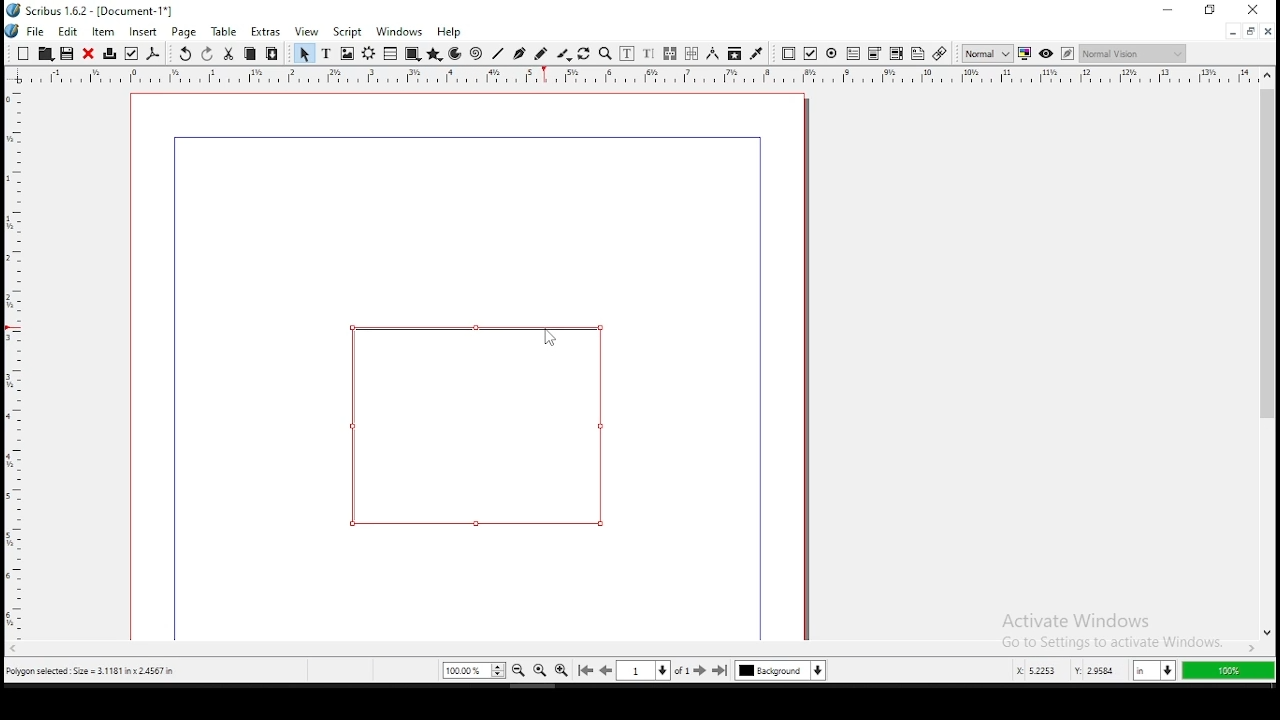  Describe the element at coordinates (832, 53) in the screenshot. I see `pdf radio button` at that location.